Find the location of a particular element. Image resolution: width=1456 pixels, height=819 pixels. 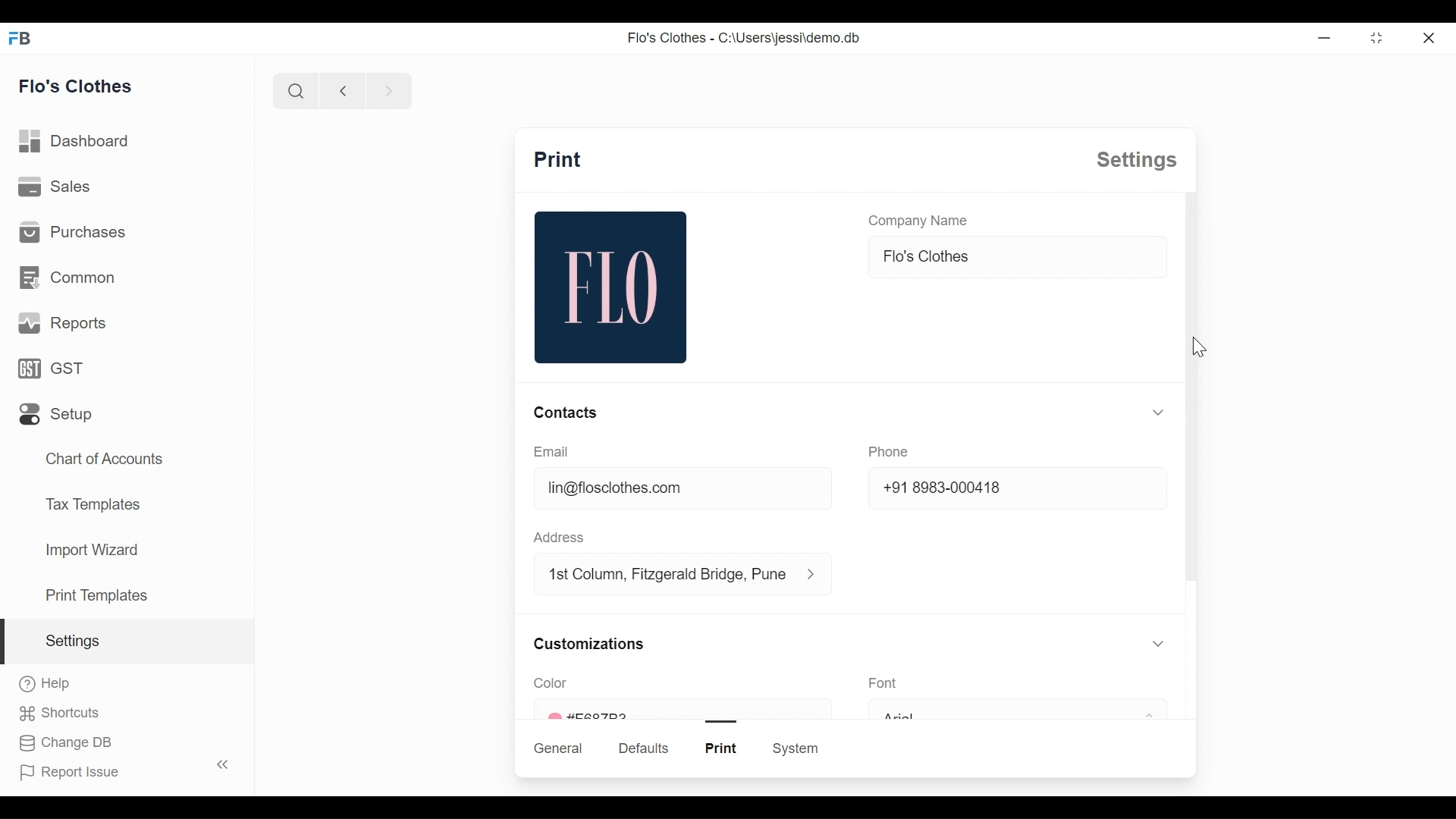

tax templates is located at coordinates (90, 503).